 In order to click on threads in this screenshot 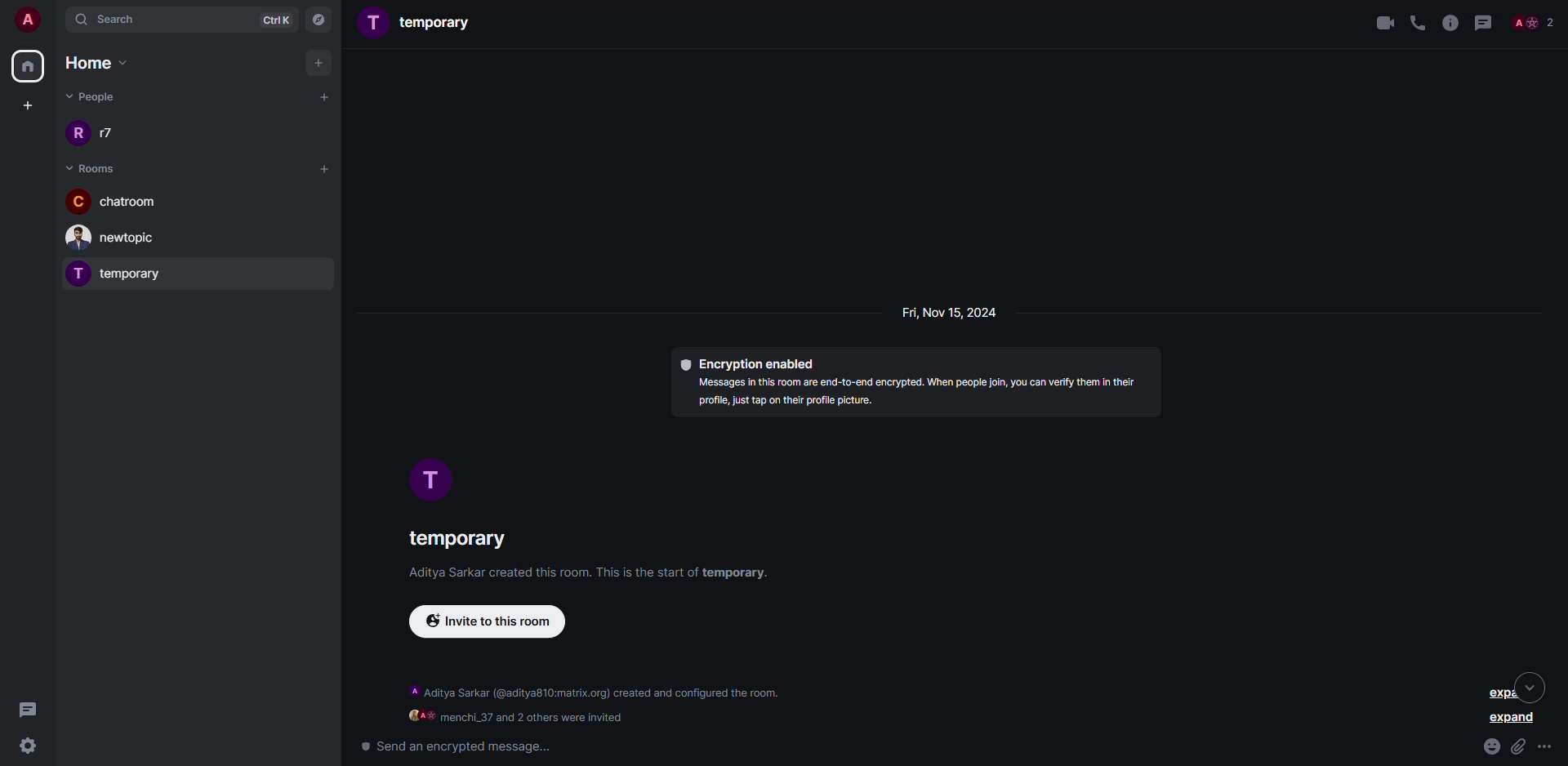, I will do `click(1485, 22)`.